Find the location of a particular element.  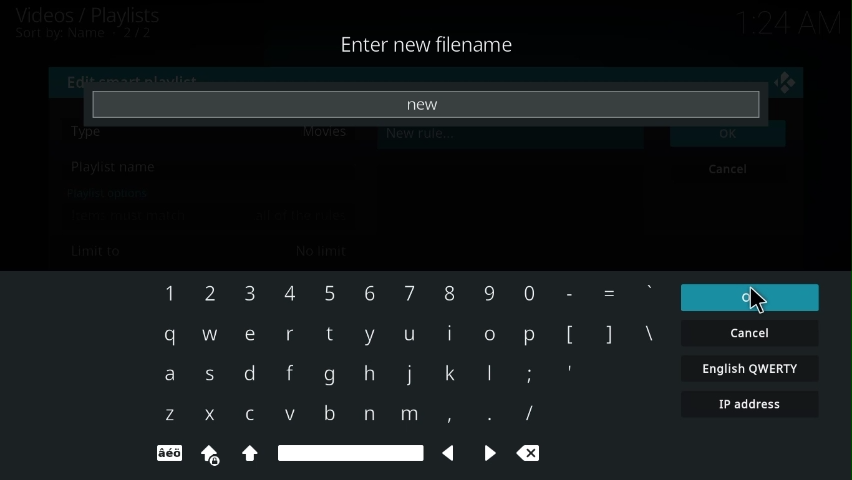

items must match is located at coordinates (131, 215).